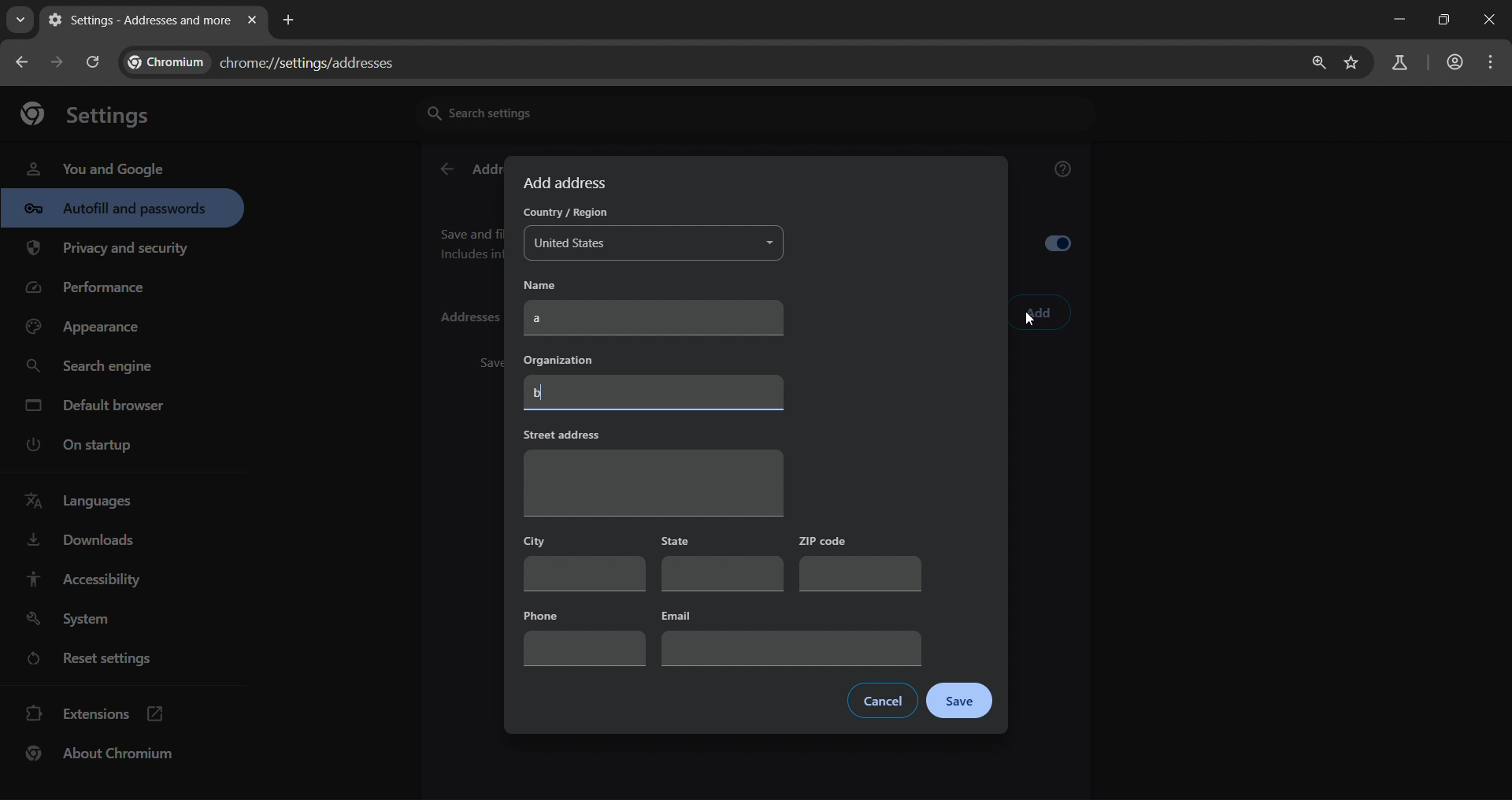 The image size is (1512, 800). I want to click on cursor, so click(1030, 323).